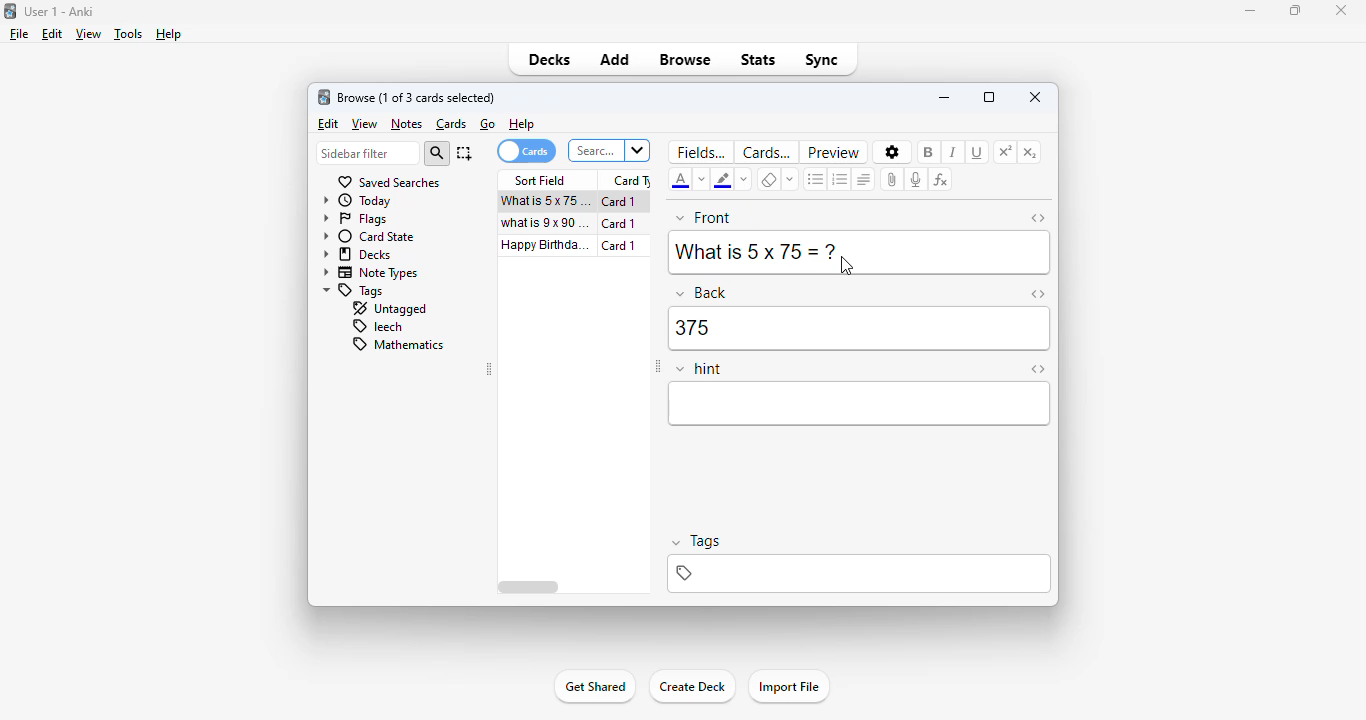 Image resolution: width=1366 pixels, height=720 pixels. What do you see at coordinates (354, 219) in the screenshot?
I see `flags` at bounding box center [354, 219].